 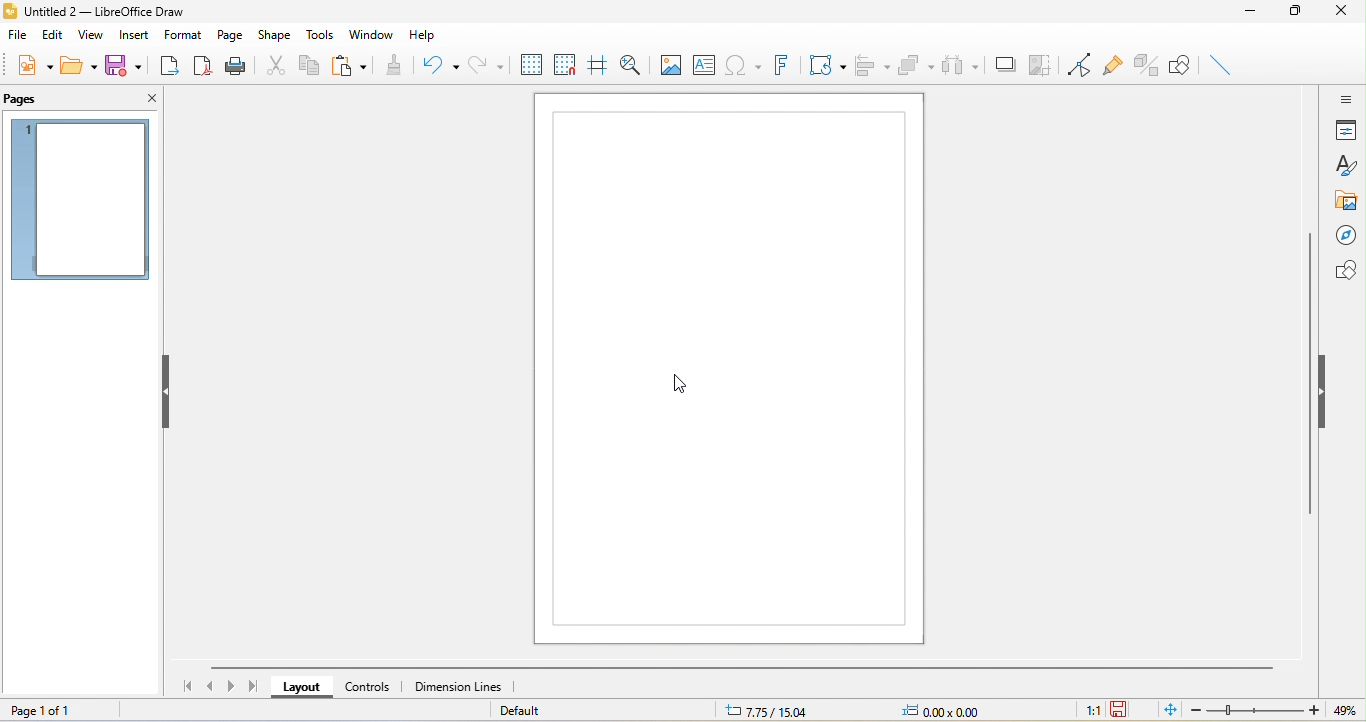 I want to click on format, so click(x=185, y=35).